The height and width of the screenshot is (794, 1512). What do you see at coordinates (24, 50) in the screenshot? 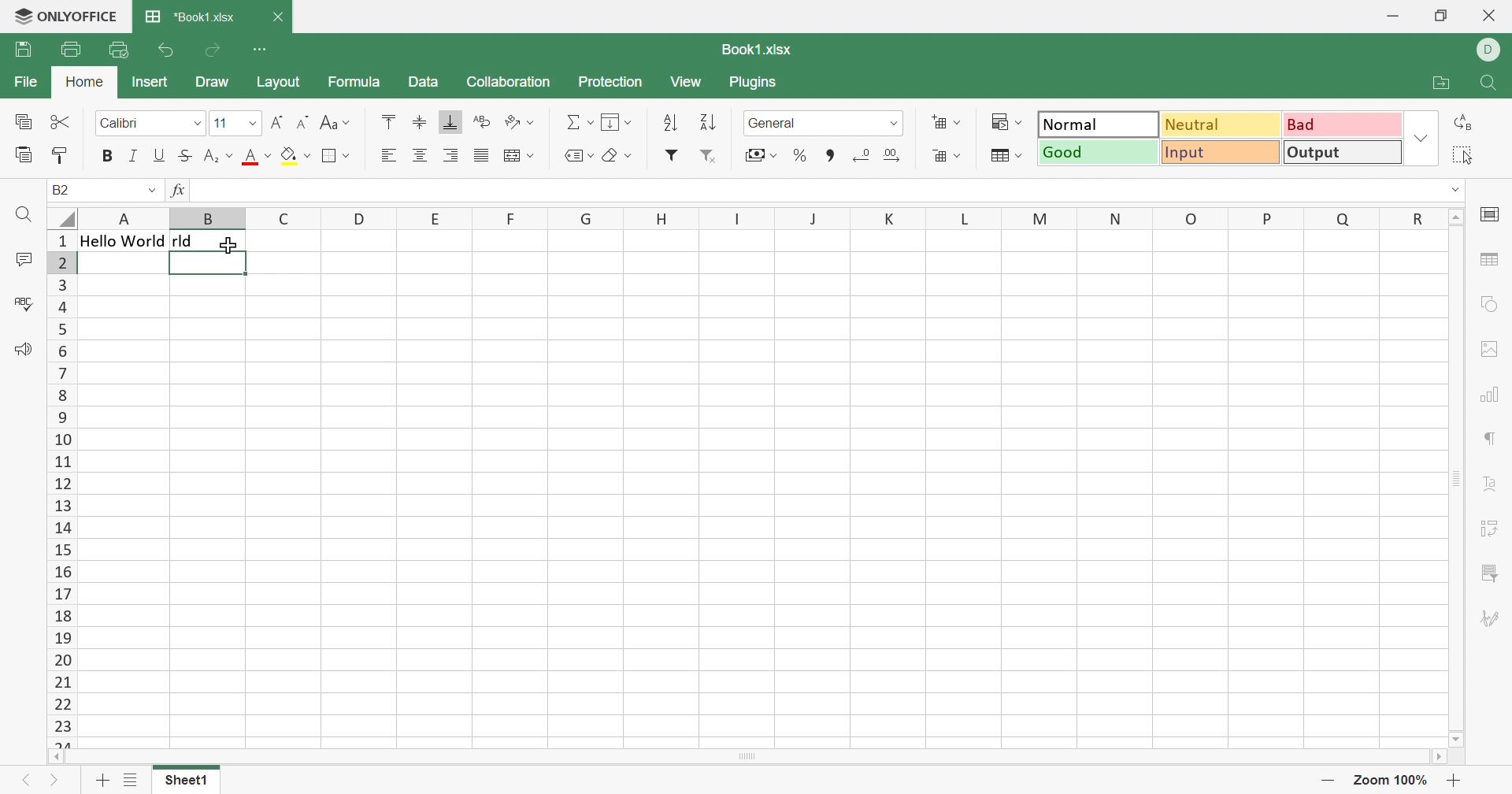
I see `Save` at bounding box center [24, 50].